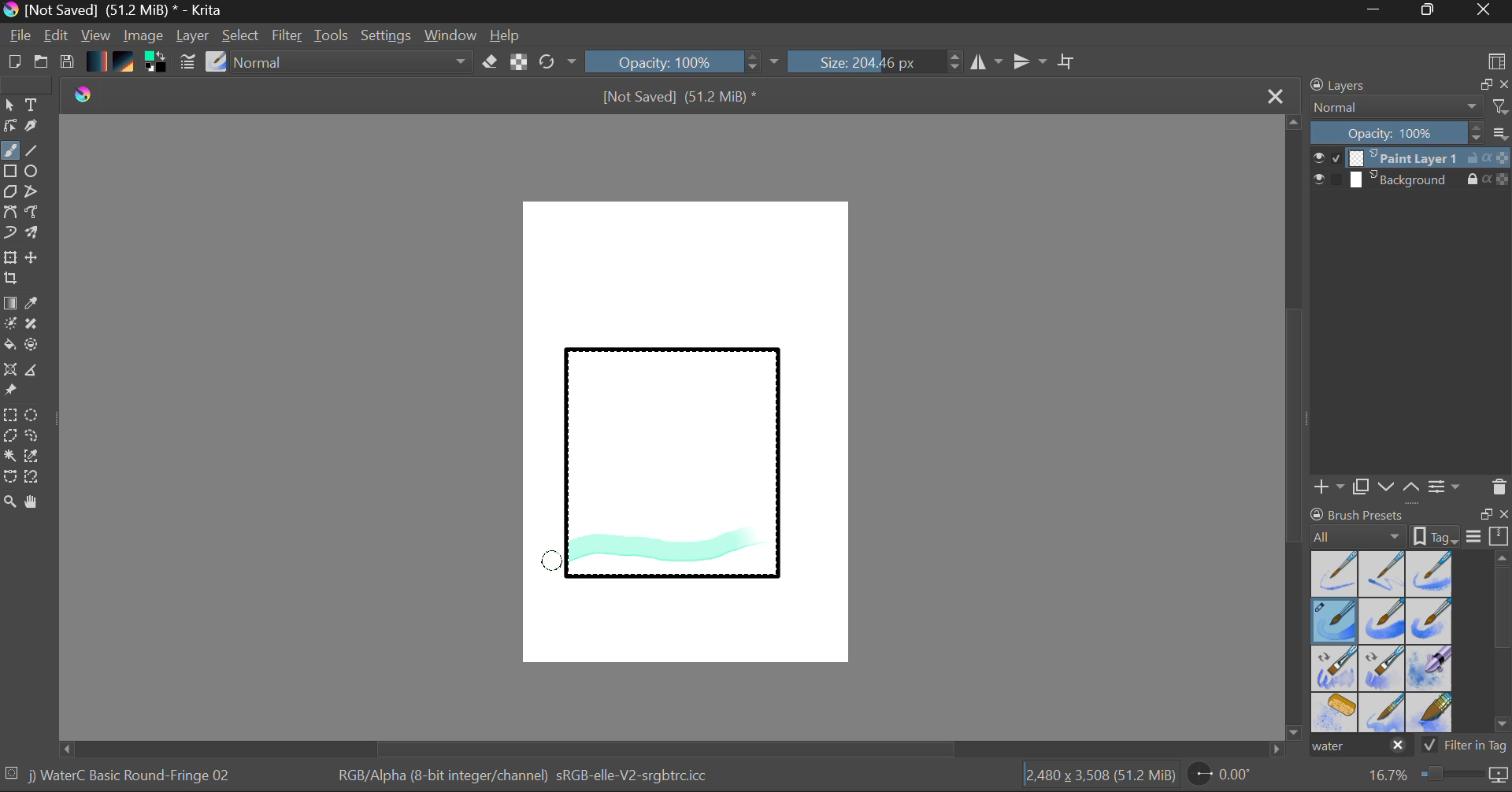  Describe the element at coordinates (1410, 107) in the screenshot. I see `Blending Mode` at that location.